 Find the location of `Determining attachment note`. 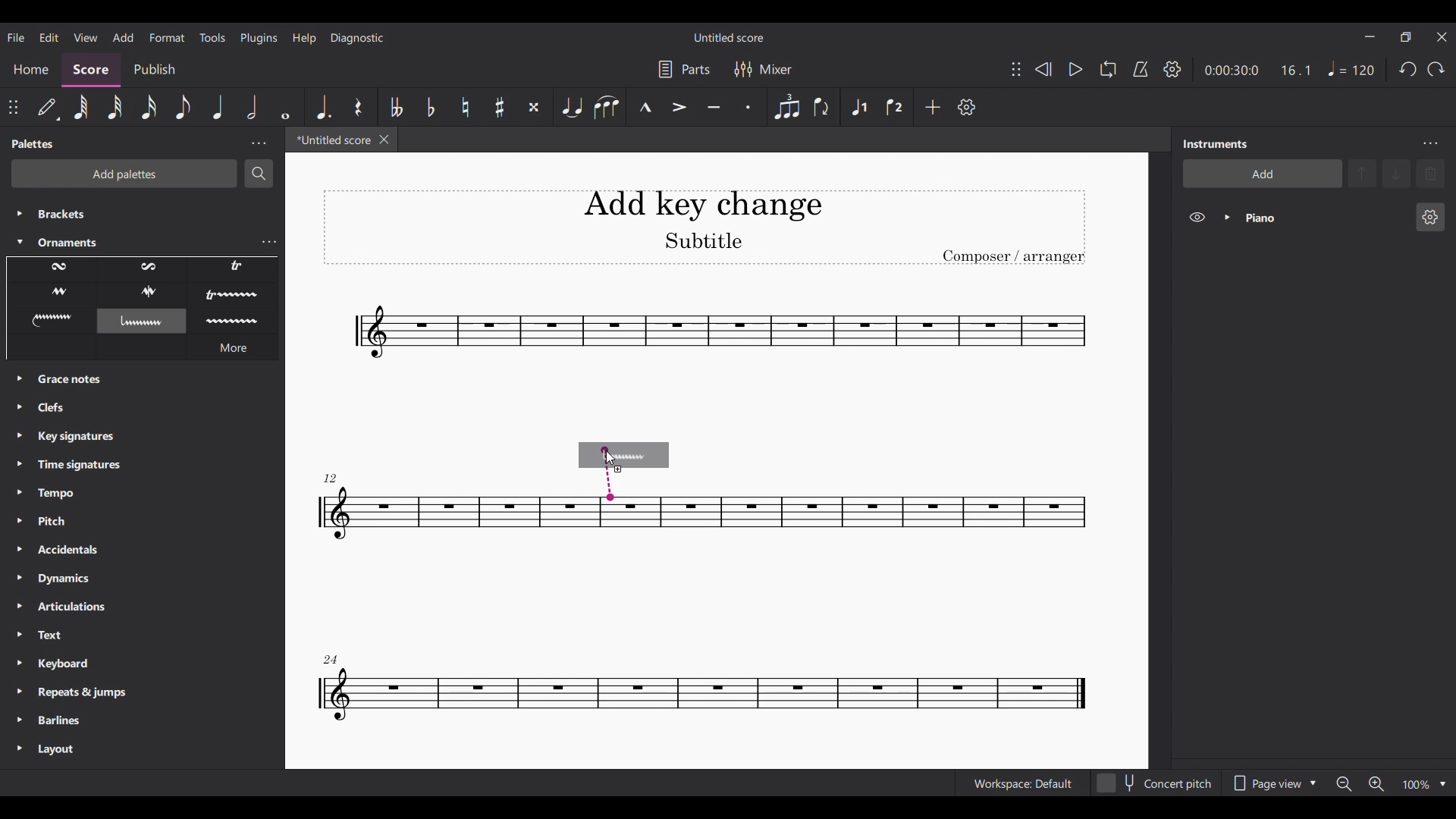

Determining attachment note is located at coordinates (608, 473).